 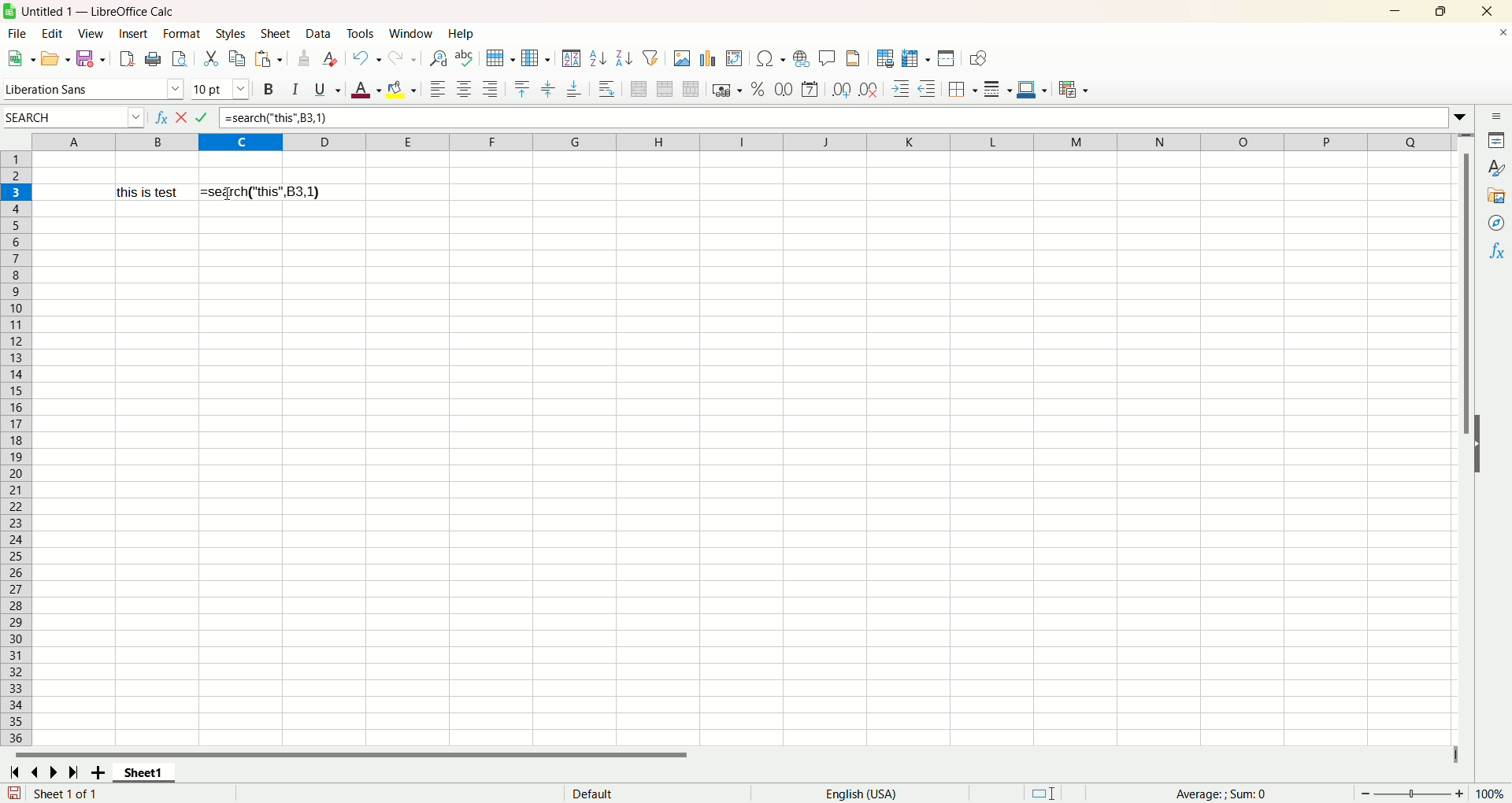 I want to click on sheet name, so click(x=144, y=773).